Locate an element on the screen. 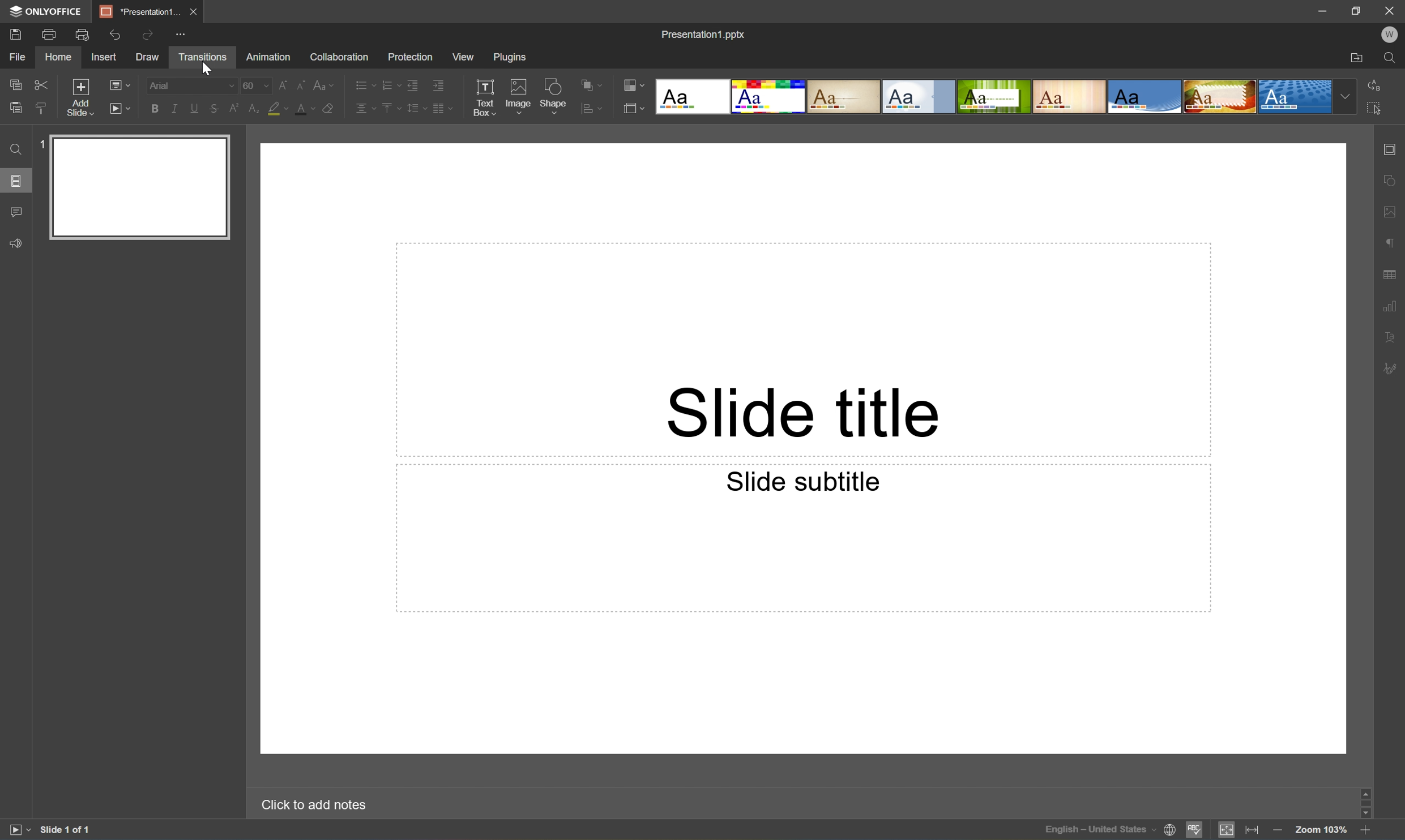 The image size is (1405, 840). Align shapes is located at coordinates (591, 108).